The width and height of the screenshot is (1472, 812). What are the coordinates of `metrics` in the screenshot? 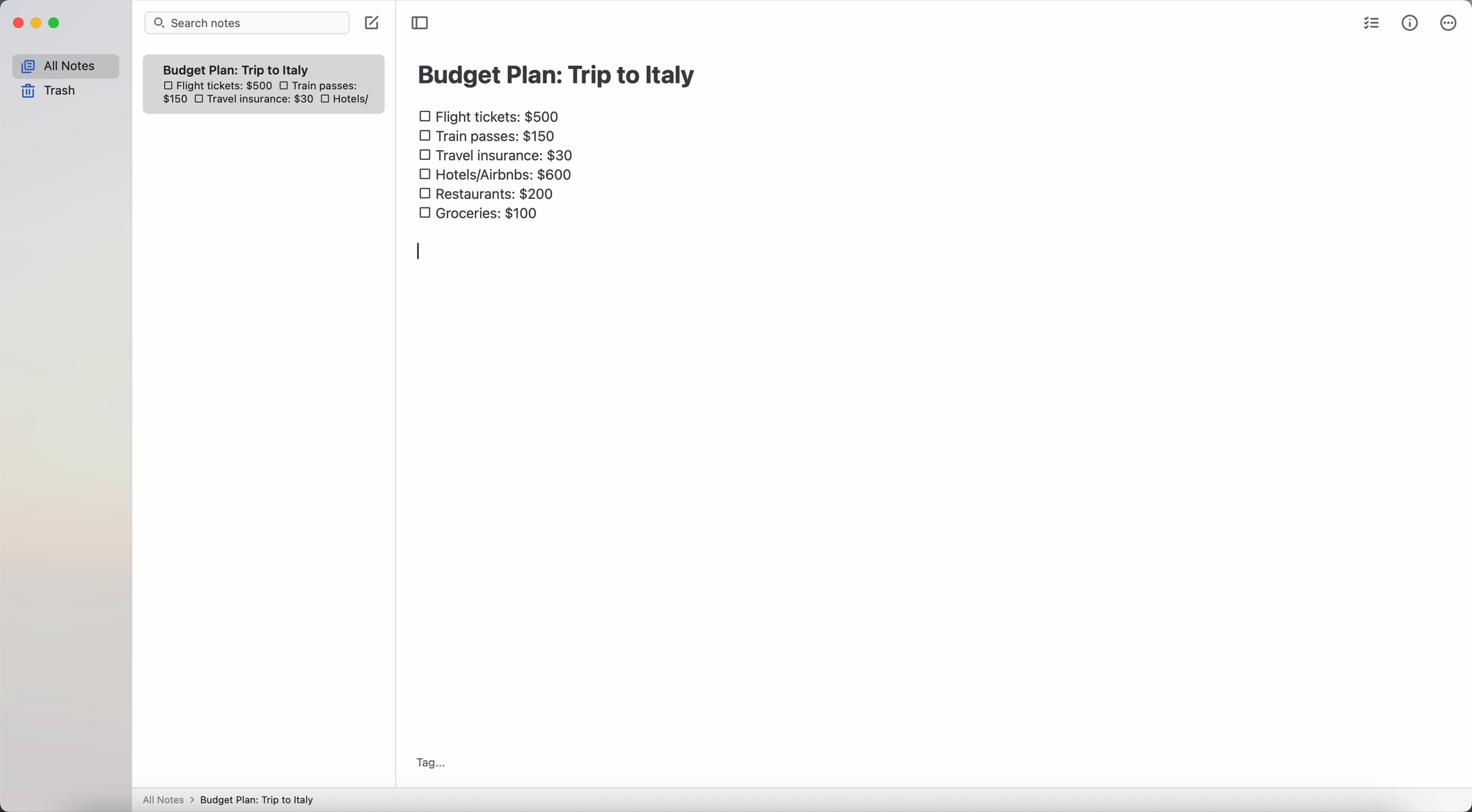 It's located at (1410, 25).